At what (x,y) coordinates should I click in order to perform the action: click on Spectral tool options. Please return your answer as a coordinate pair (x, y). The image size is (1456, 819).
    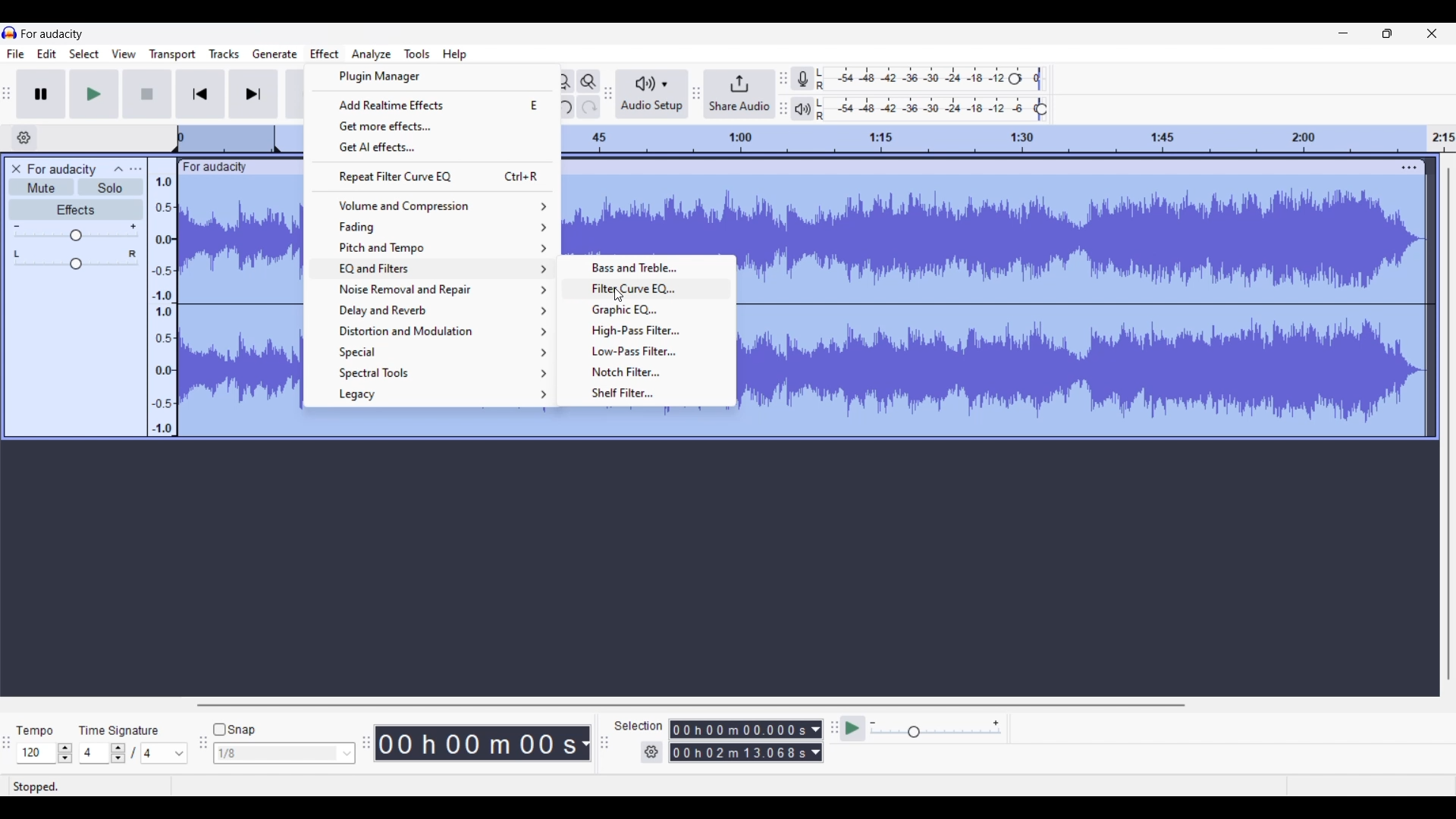
    Looking at the image, I should click on (433, 373).